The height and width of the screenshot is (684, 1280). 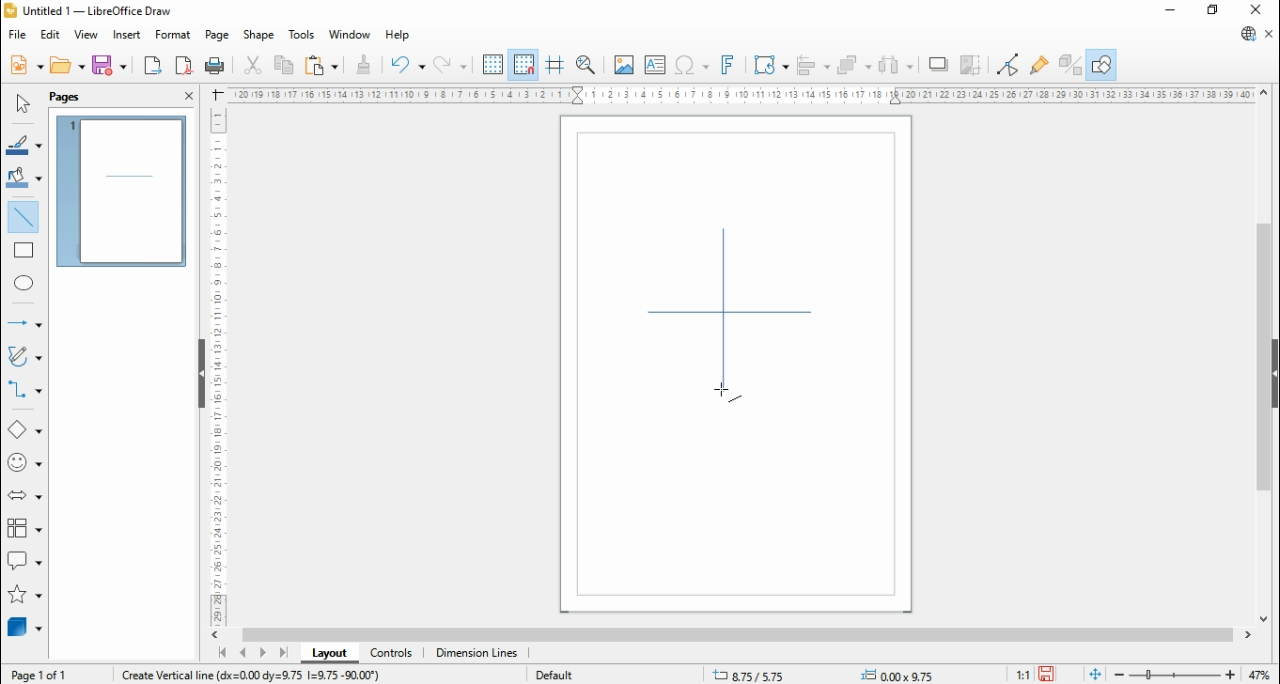 I want to click on undo, so click(x=406, y=64).